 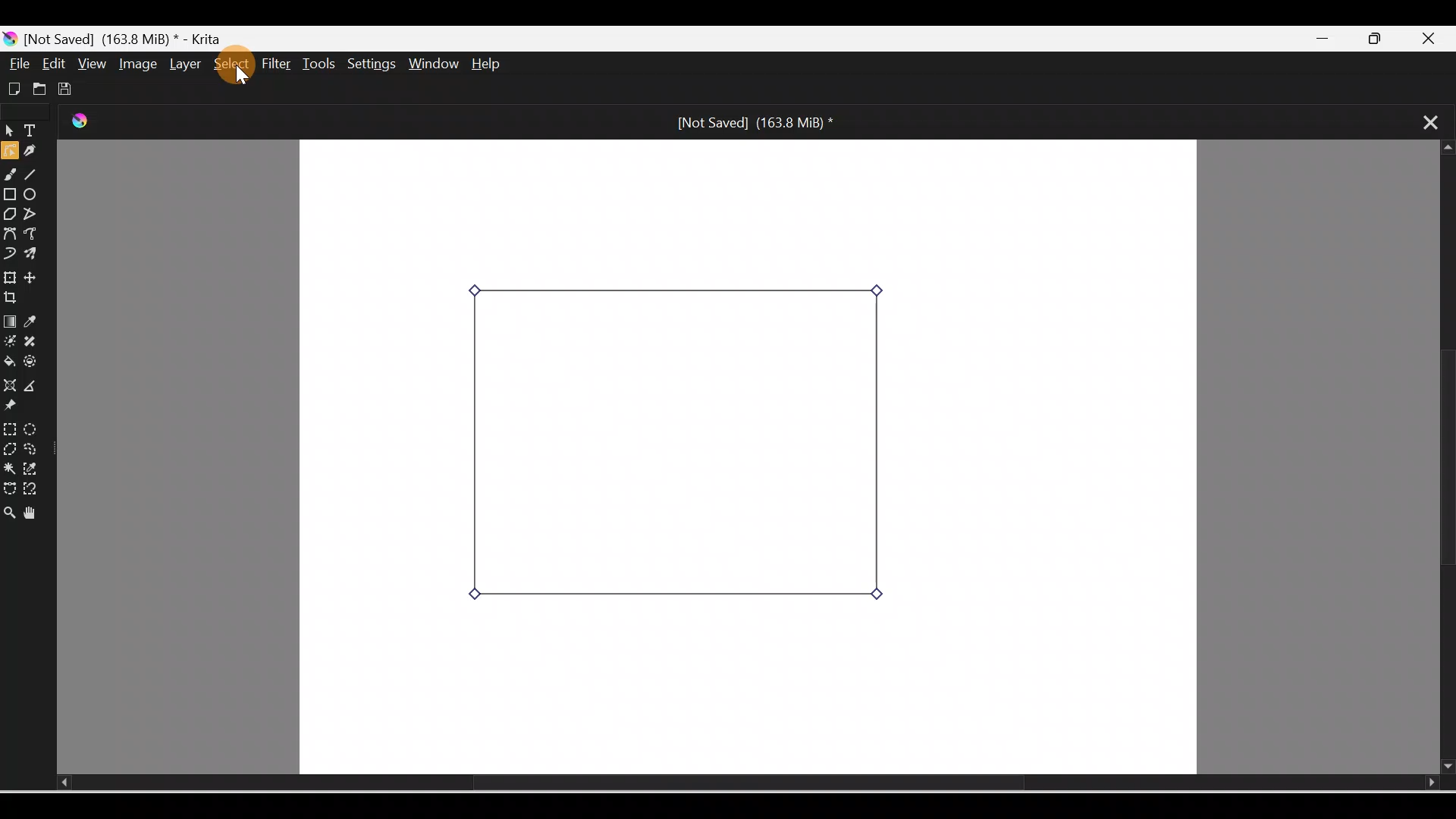 I want to click on Zoom tool, so click(x=9, y=508).